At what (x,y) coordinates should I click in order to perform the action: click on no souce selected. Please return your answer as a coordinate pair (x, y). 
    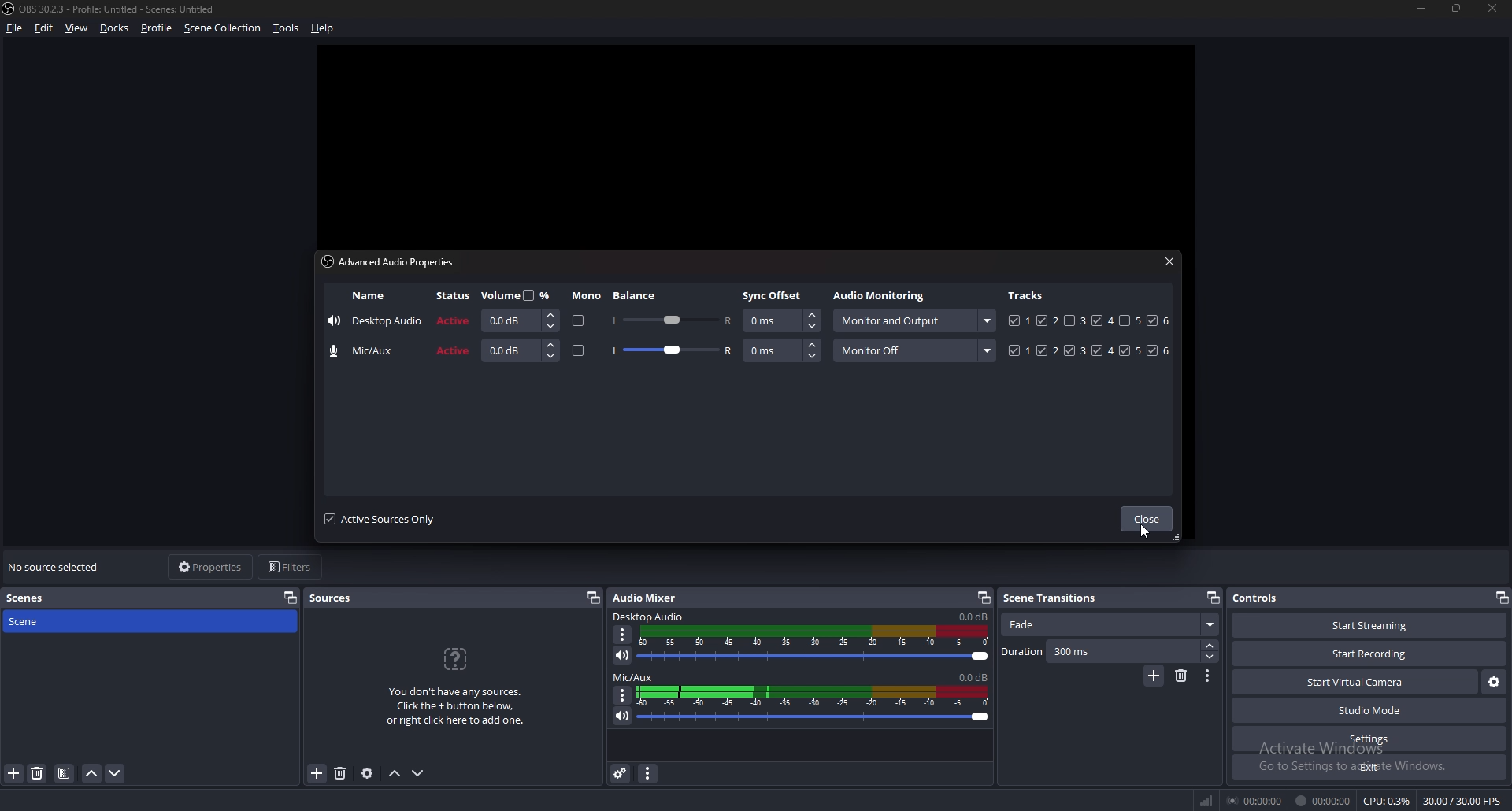
    Looking at the image, I should click on (58, 568).